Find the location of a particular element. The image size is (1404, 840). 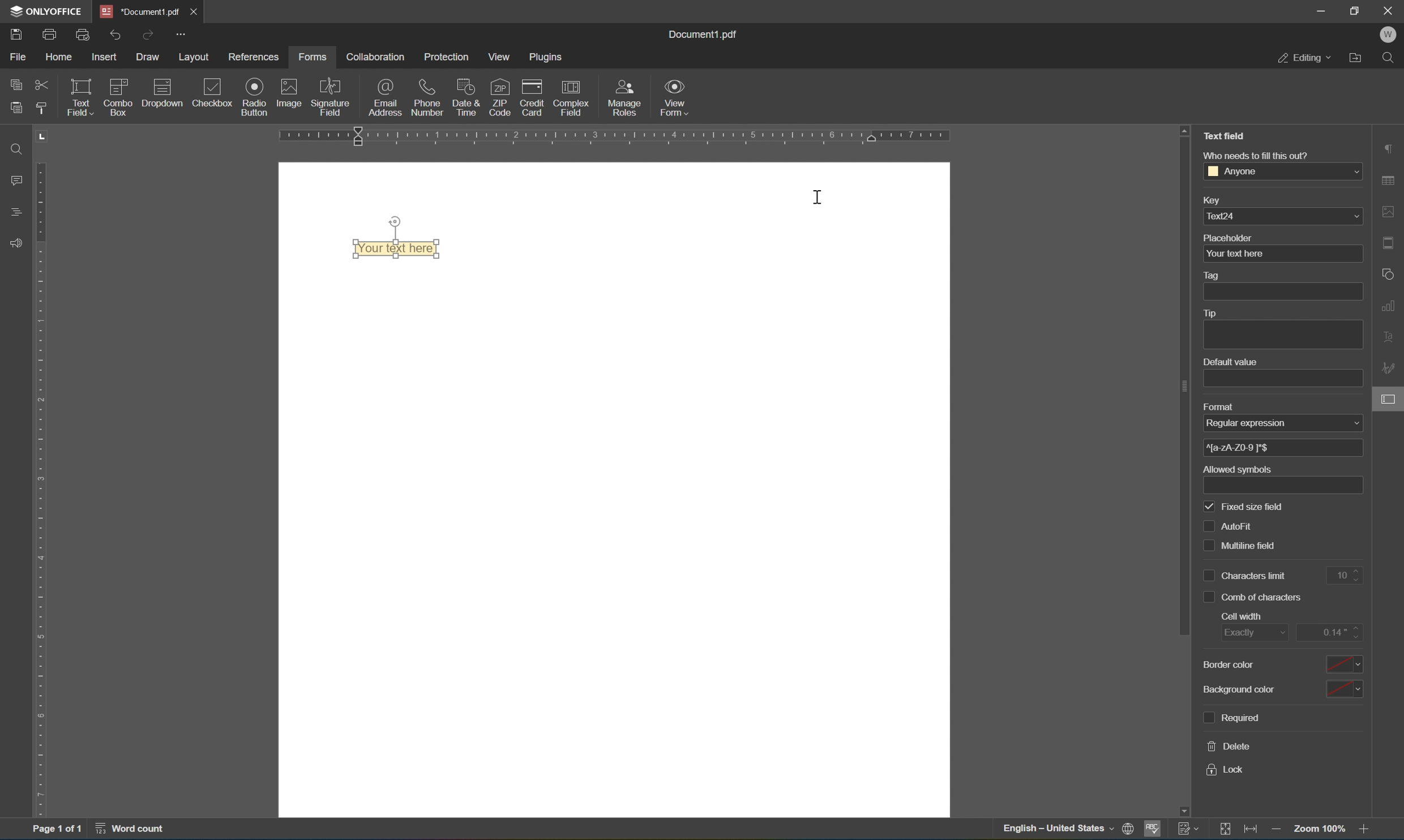

welcome is located at coordinates (1388, 35).